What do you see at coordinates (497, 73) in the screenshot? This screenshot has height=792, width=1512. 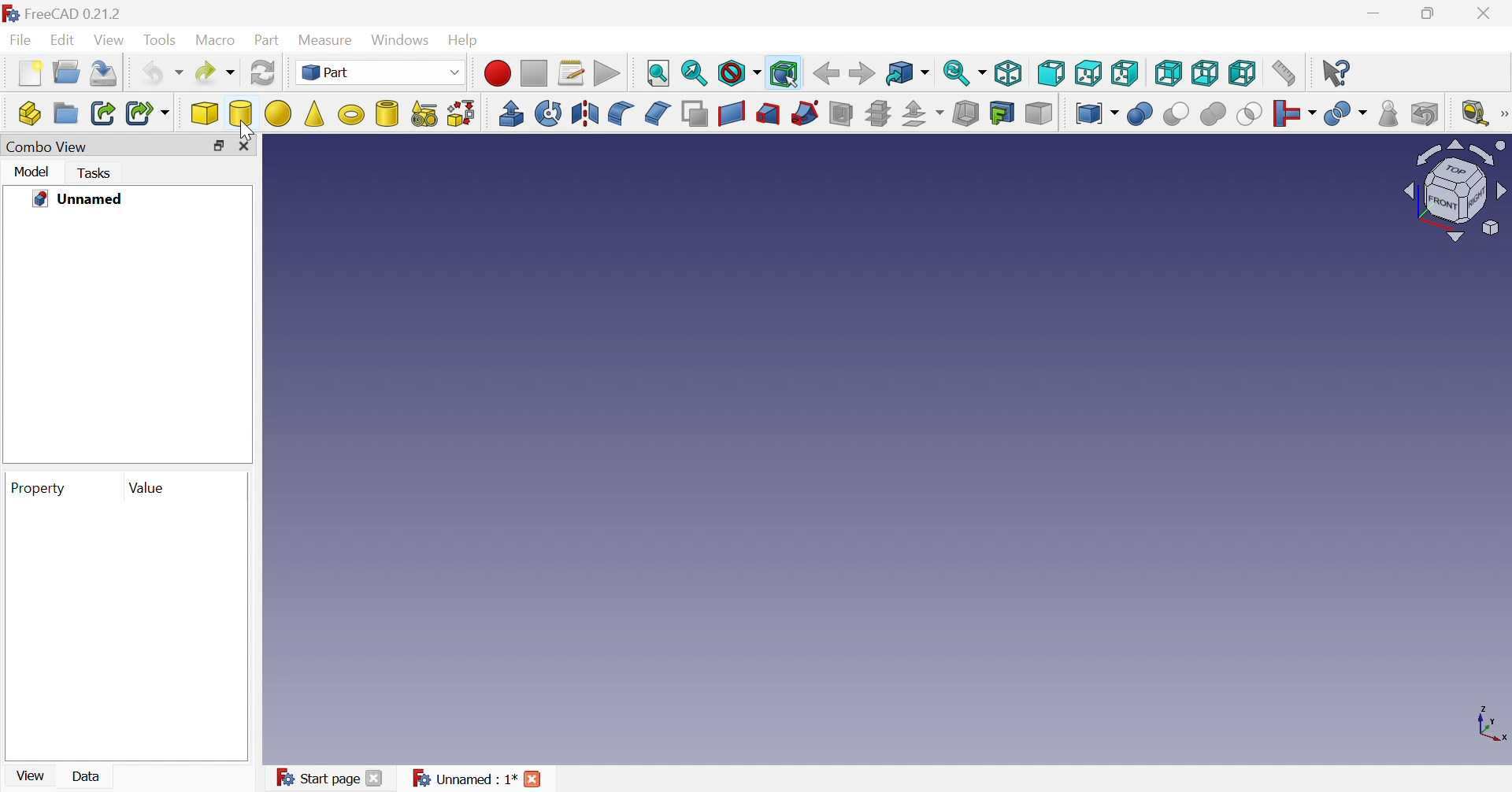 I see `Macro recording` at bounding box center [497, 73].